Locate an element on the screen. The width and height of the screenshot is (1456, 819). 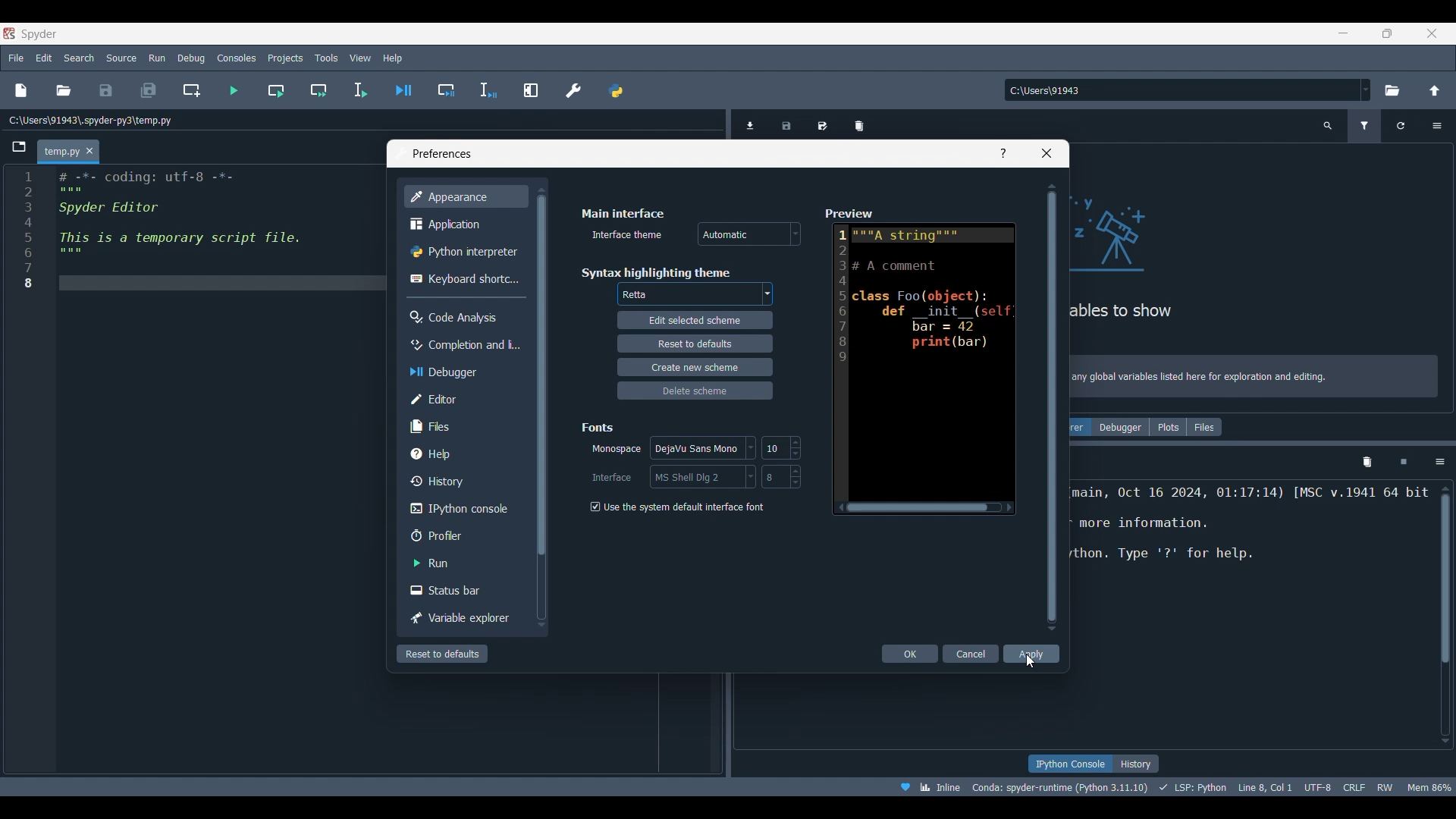
Files is located at coordinates (1205, 427).